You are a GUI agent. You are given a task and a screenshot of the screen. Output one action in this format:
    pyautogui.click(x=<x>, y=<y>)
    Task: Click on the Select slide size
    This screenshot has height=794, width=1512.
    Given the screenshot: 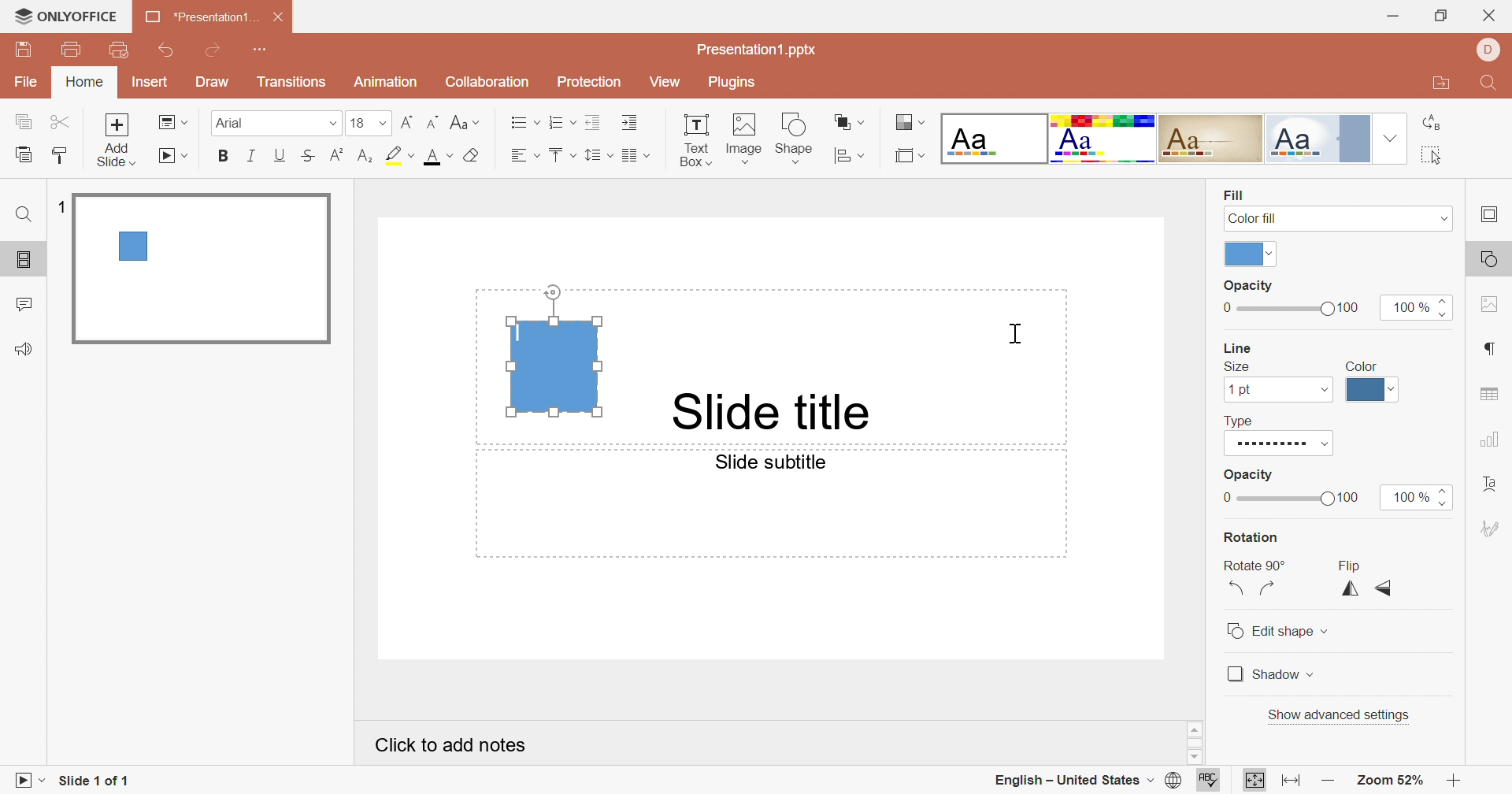 What is the action you would take?
    pyautogui.click(x=909, y=158)
    